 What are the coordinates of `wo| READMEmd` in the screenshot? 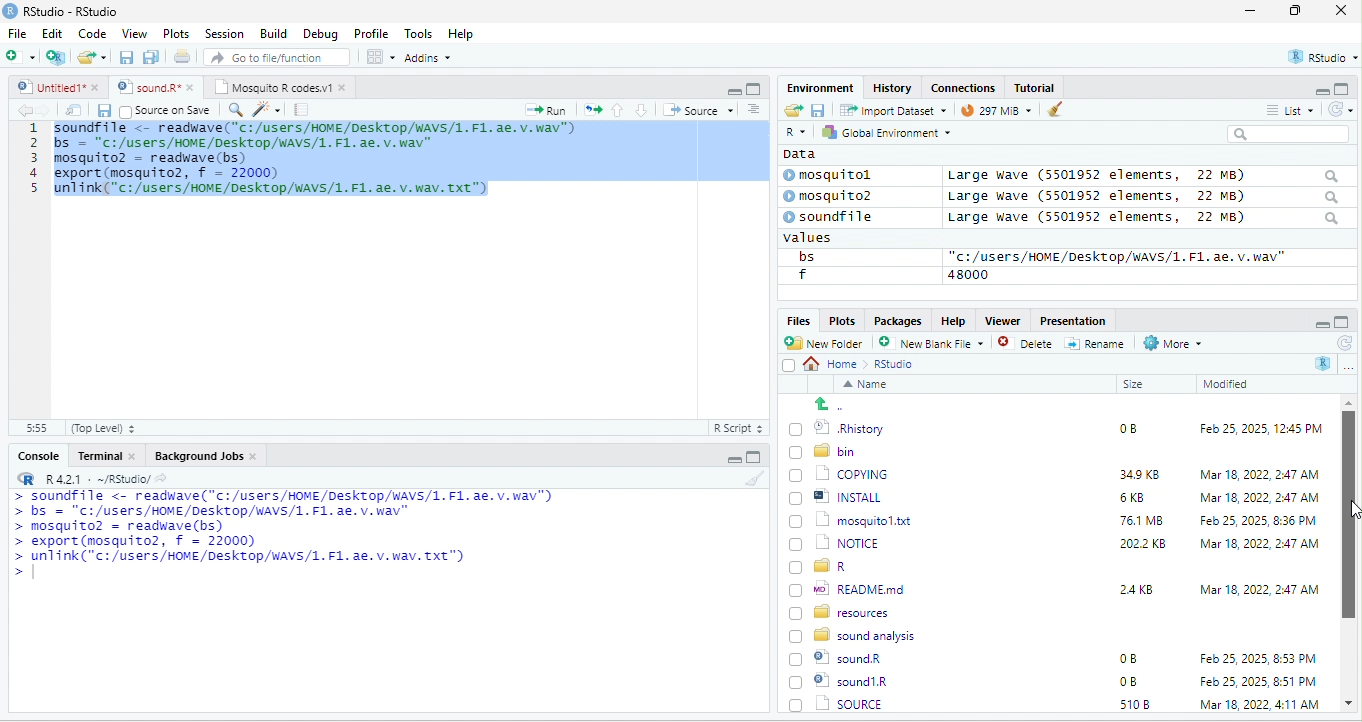 It's located at (852, 588).